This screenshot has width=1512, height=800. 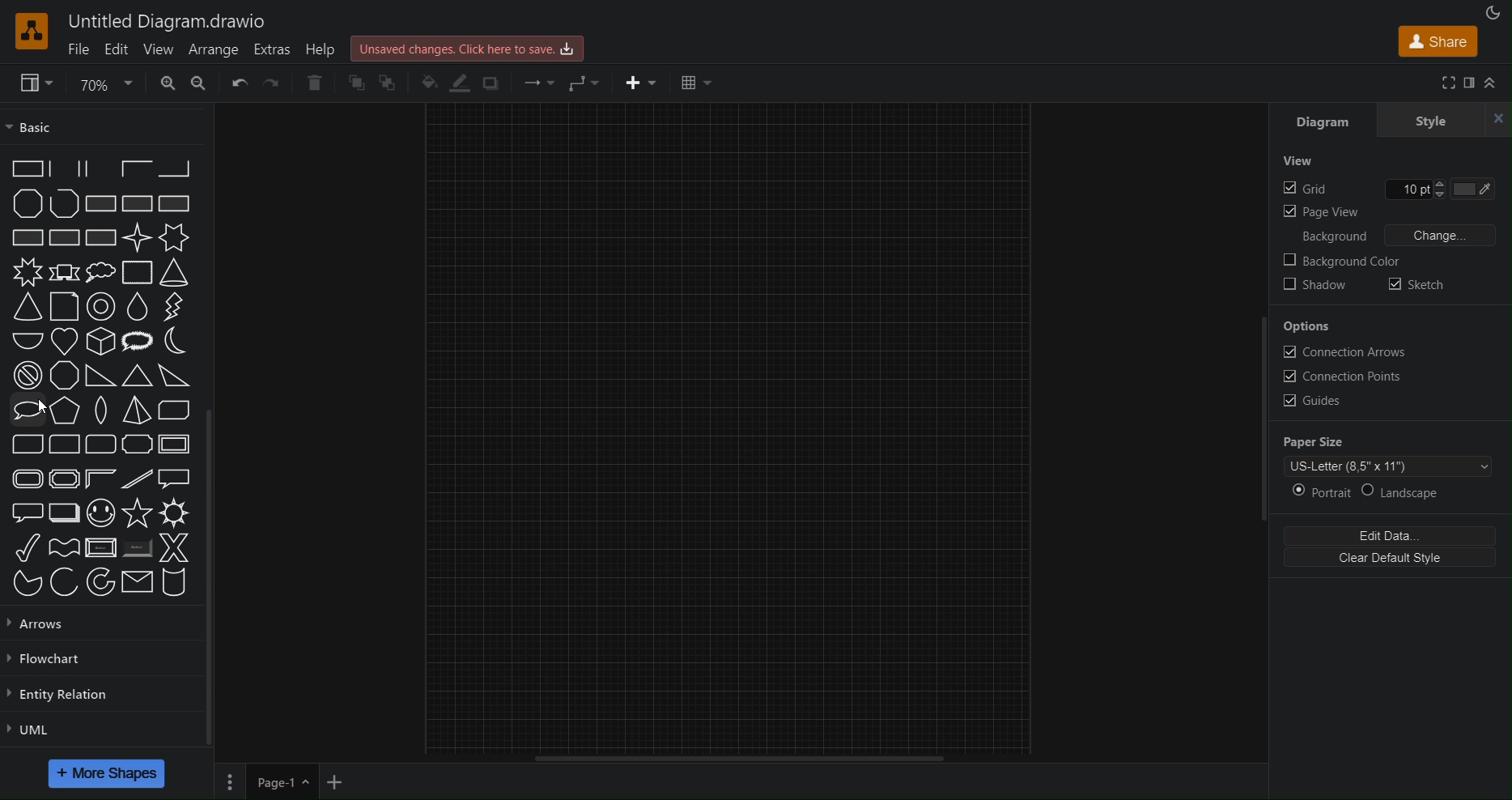 What do you see at coordinates (78, 49) in the screenshot?
I see `File` at bounding box center [78, 49].